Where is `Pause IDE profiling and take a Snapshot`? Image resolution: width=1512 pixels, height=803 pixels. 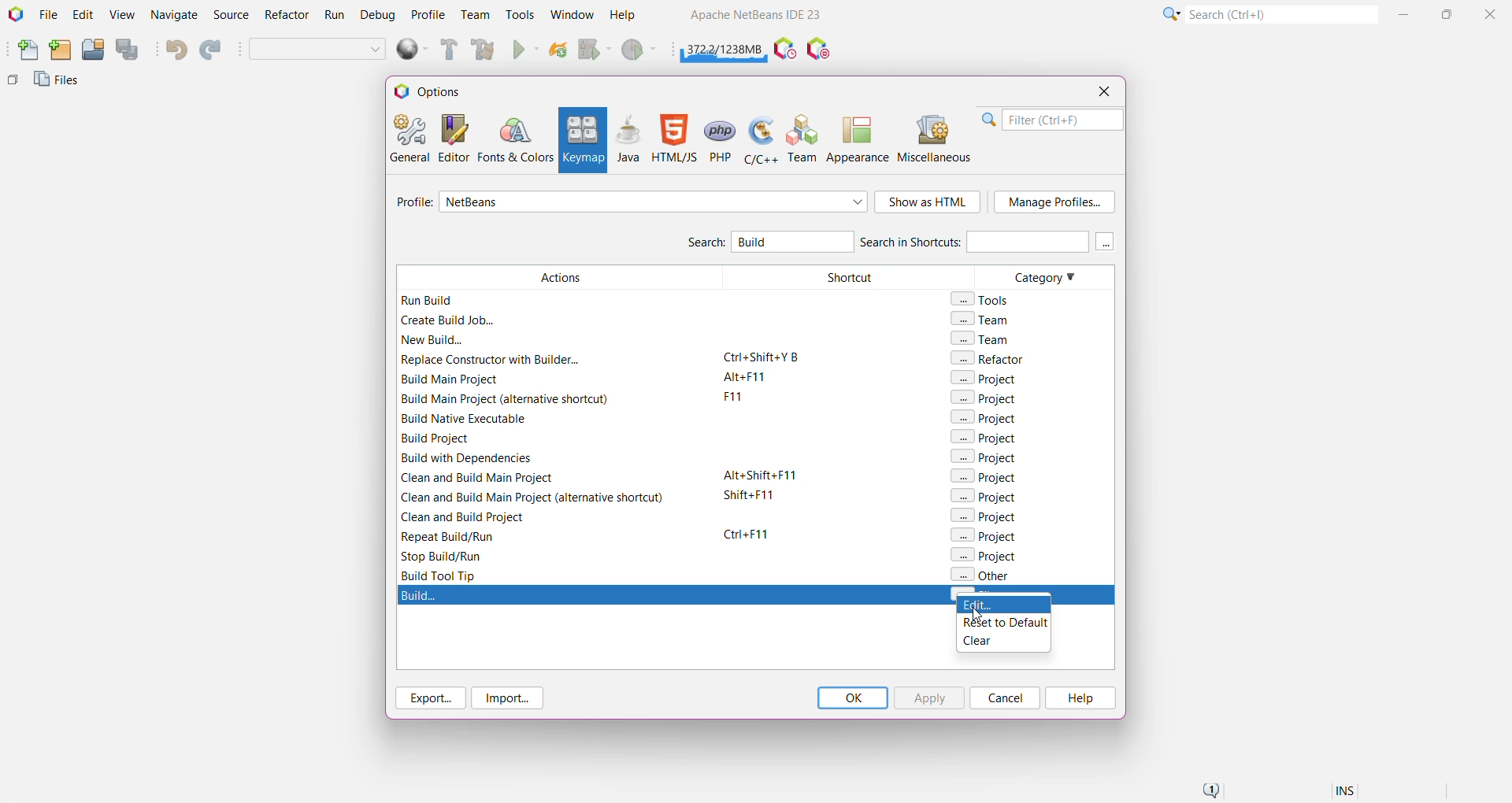
Pause IDE profiling and take a Snapshot is located at coordinates (785, 50).